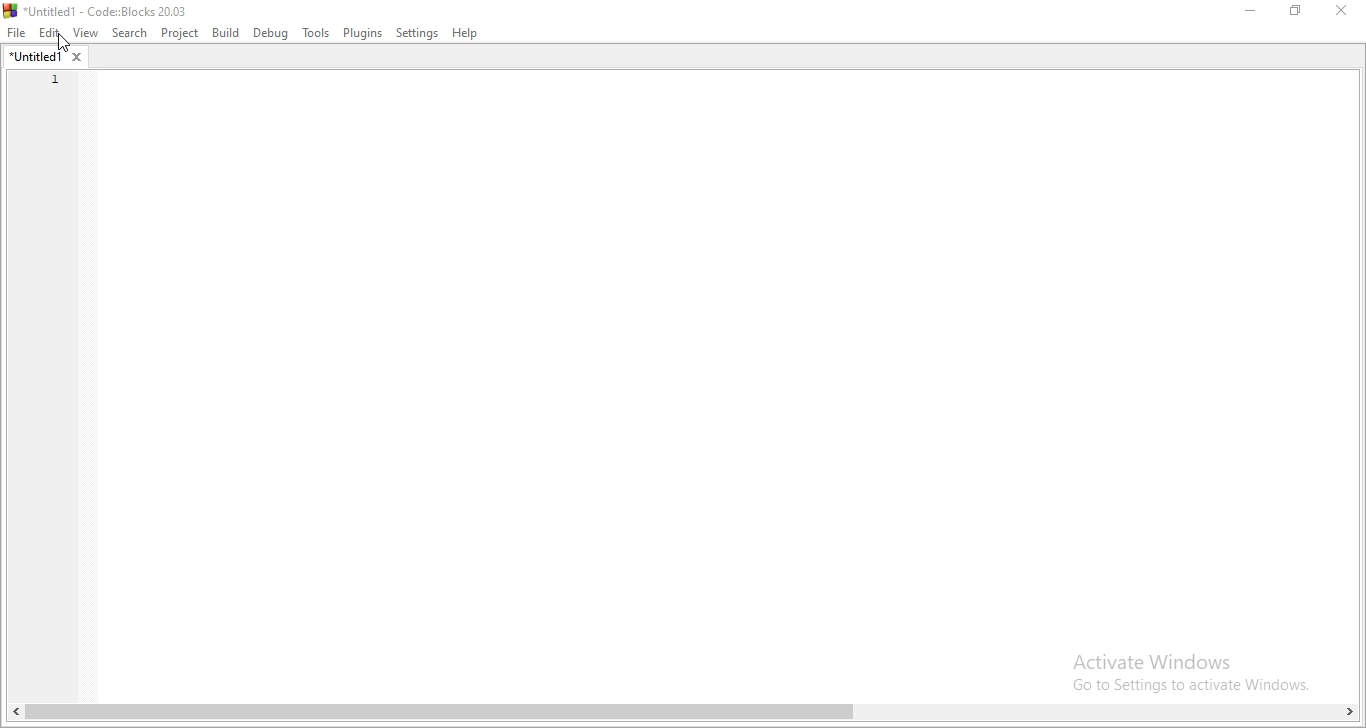 Image resolution: width=1366 pixels, height=728 pixels. Describe the element at coordinates (48, 33) in the screenshot. I see `Edit ` at that location.